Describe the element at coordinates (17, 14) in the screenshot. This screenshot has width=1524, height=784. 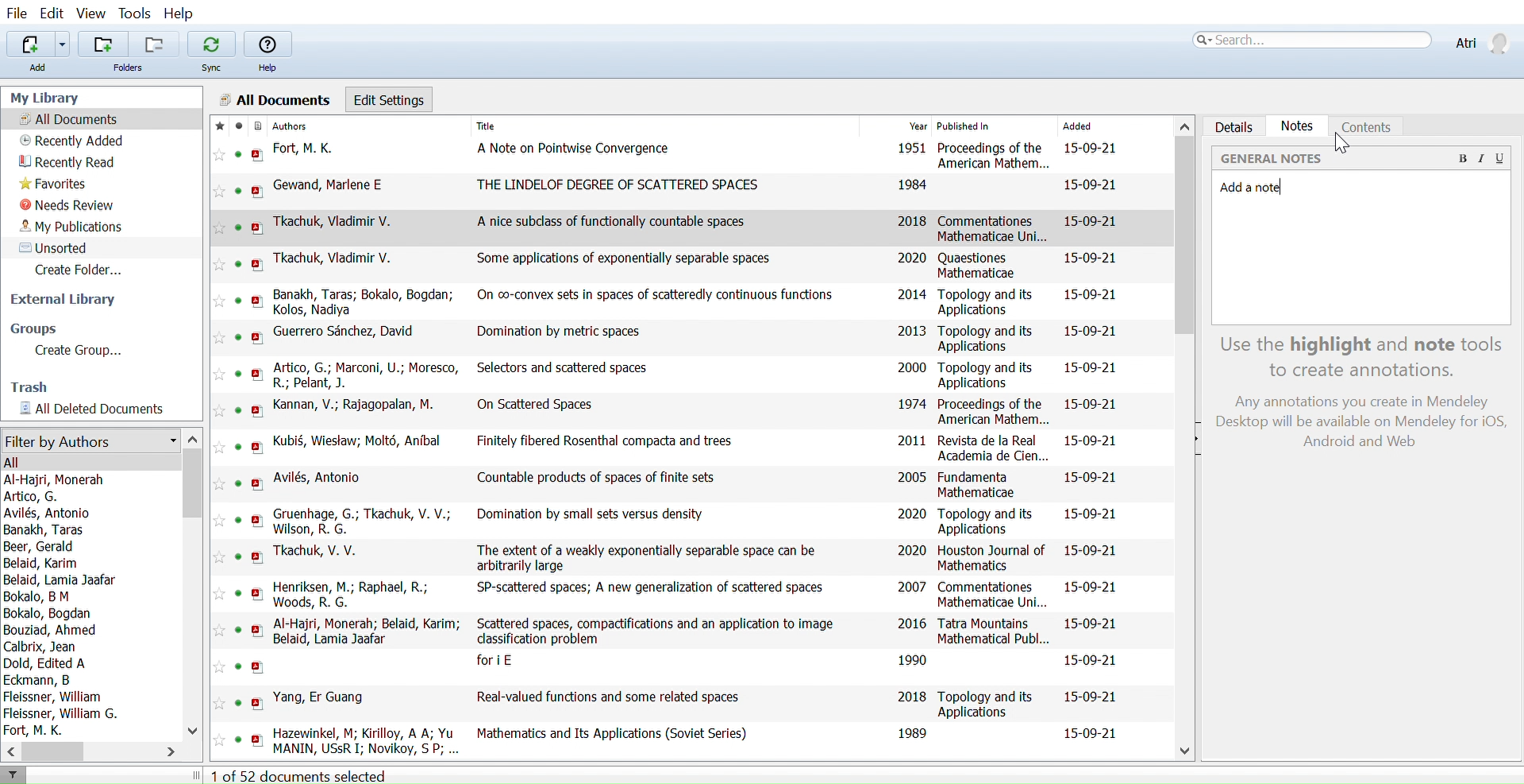
I see `File` at that location.